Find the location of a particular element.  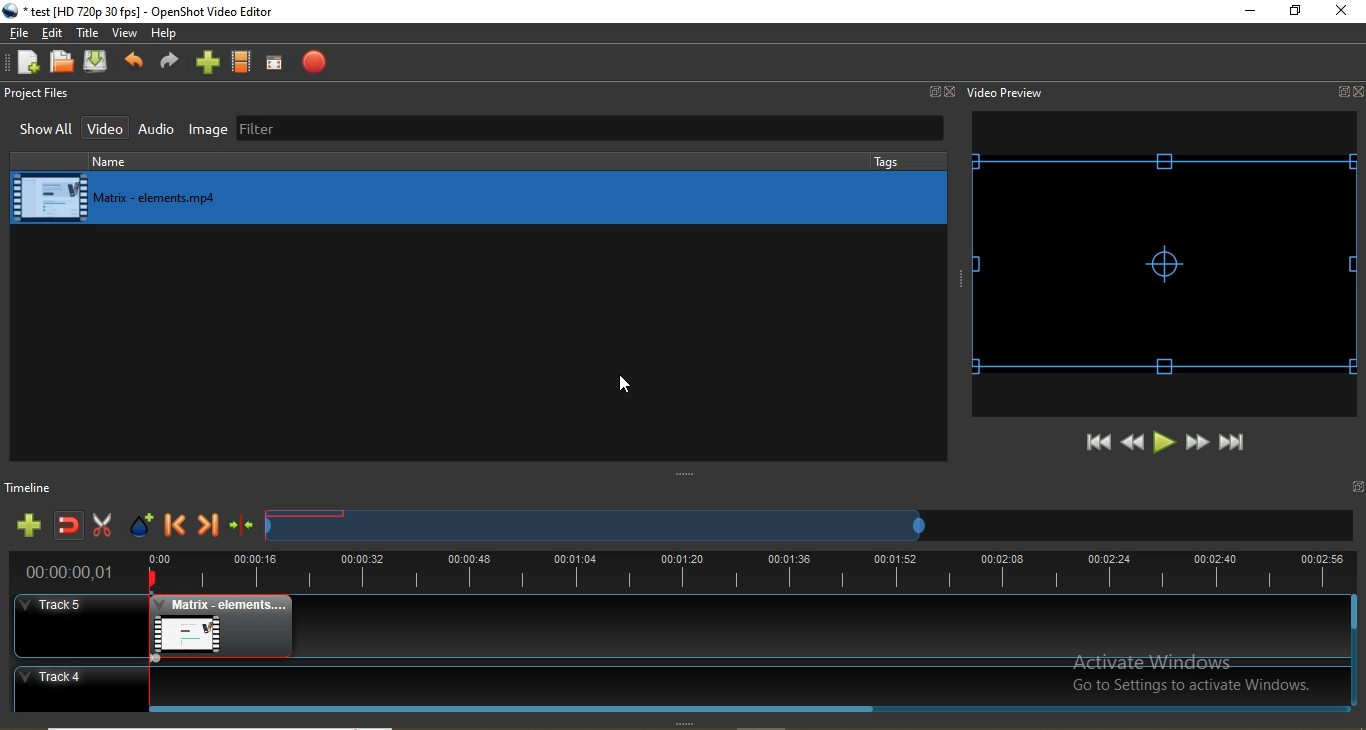

Video preview is located at coordinates (1007, 92).